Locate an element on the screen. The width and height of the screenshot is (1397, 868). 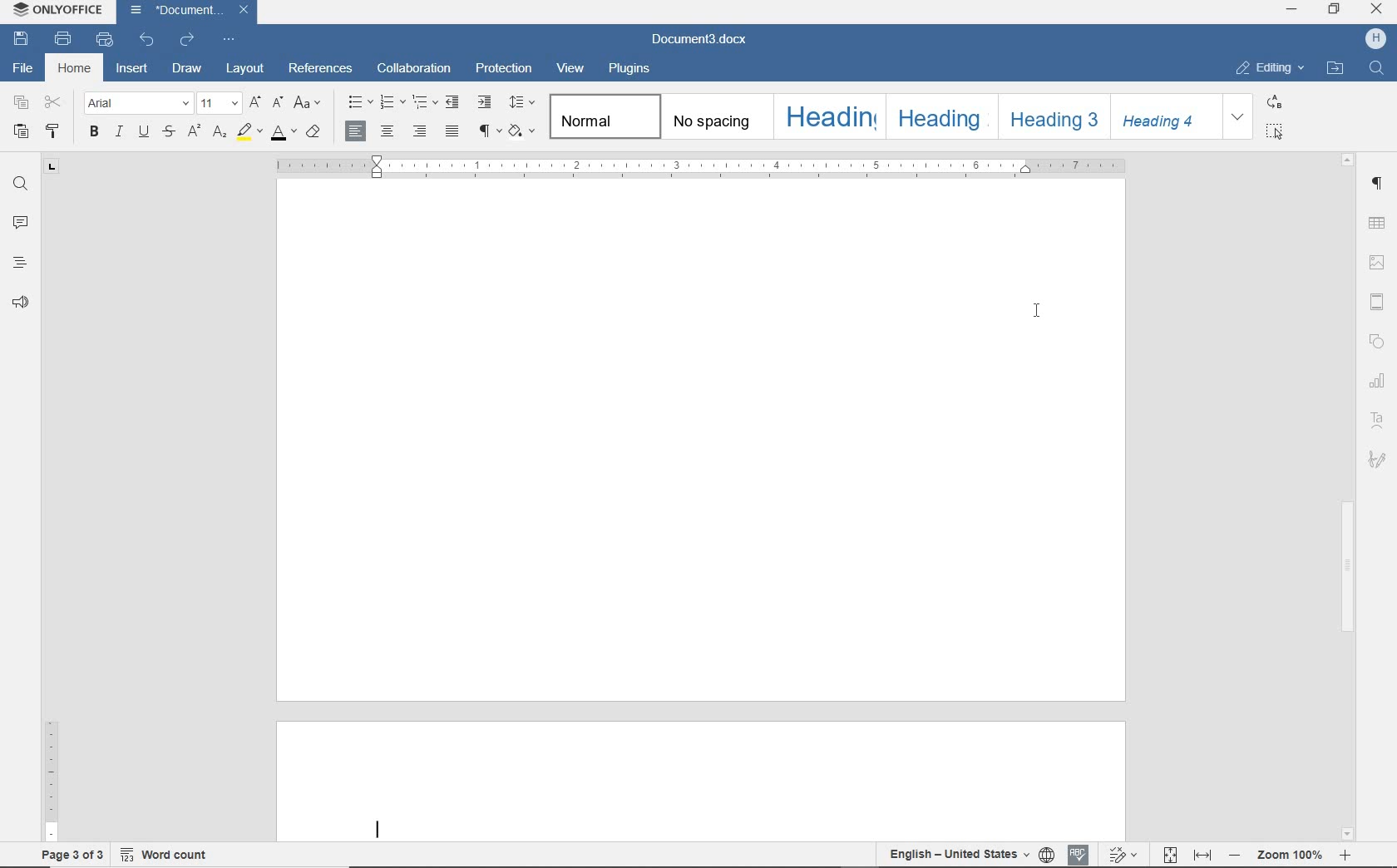
SIGNATURE is located at coordinates (1378, 459).